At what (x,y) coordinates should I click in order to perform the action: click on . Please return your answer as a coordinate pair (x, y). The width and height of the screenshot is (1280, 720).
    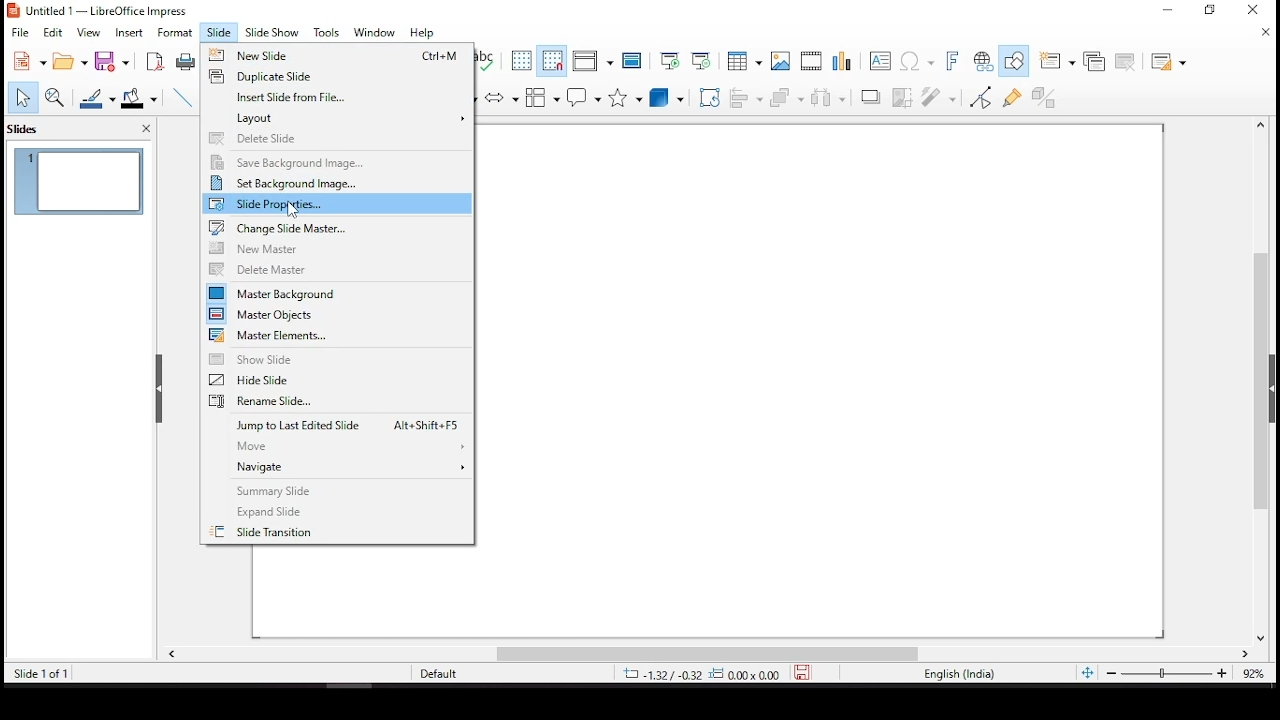
    Looking at the image, I should click on (779, 63).